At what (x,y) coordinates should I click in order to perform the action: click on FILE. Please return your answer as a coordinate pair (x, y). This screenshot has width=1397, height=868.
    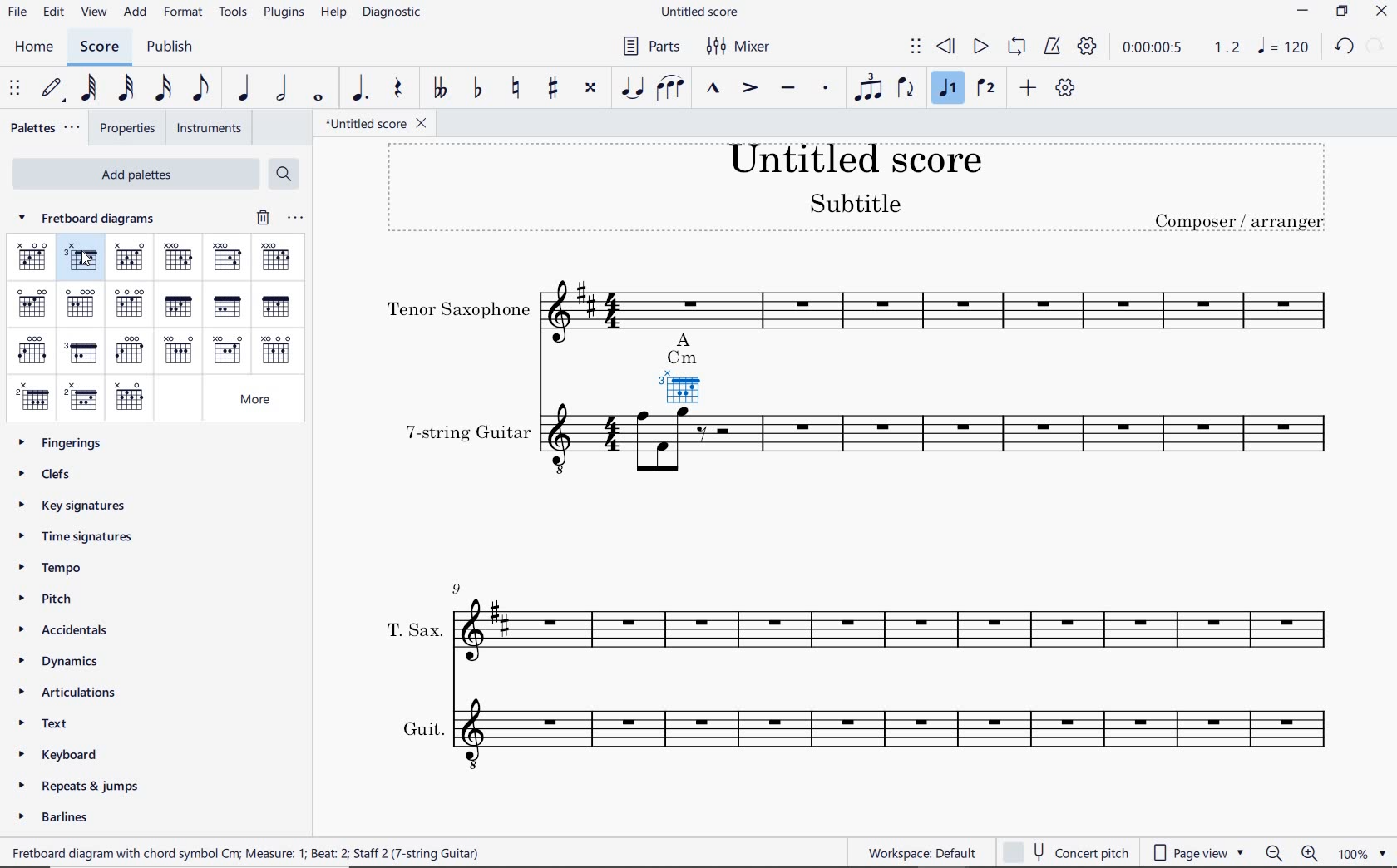
    Looking at the image, I should click on (17, 13).